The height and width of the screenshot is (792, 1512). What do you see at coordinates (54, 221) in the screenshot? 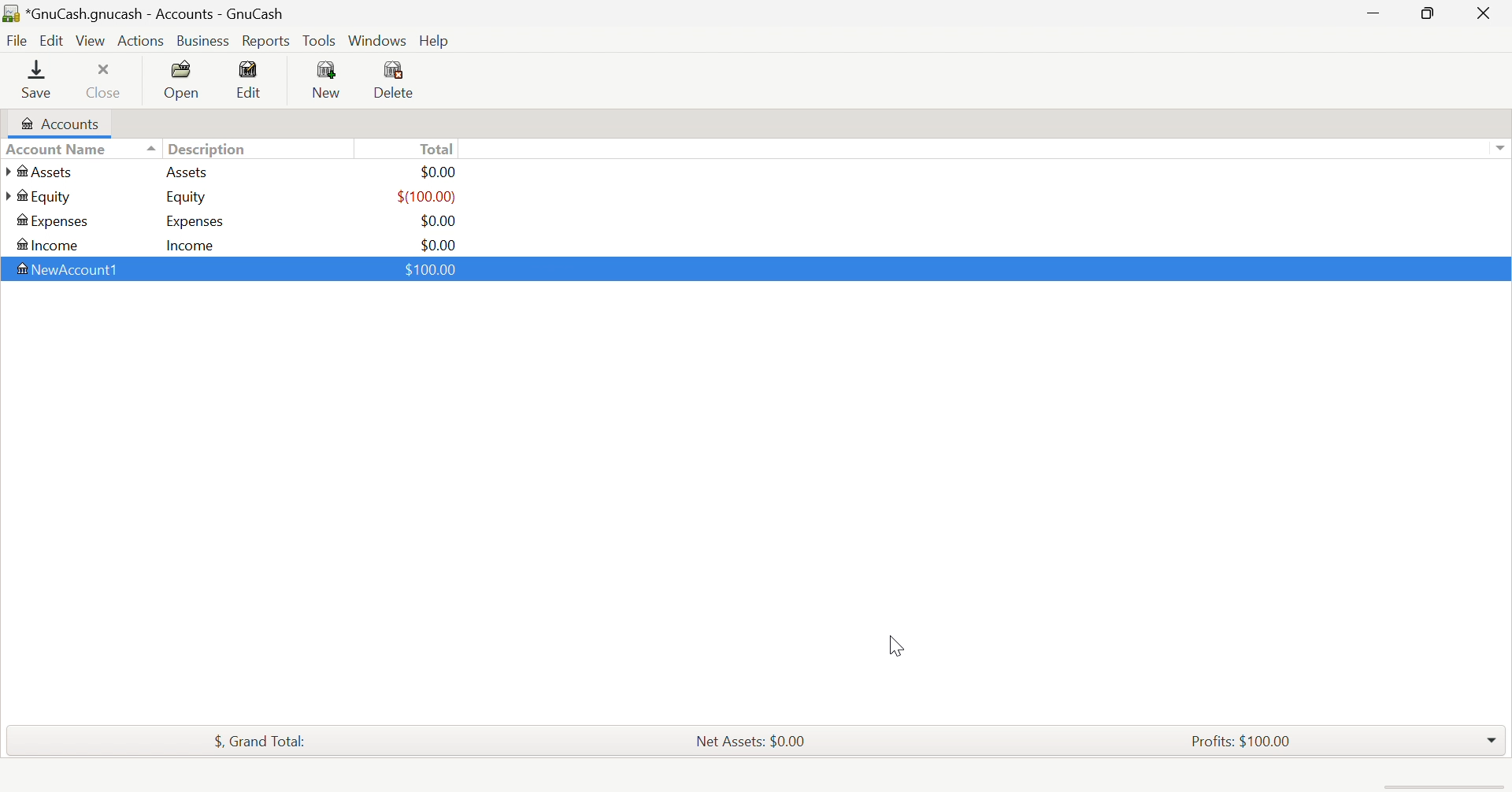
I see `Expenses` at bounding box center [54, 221].